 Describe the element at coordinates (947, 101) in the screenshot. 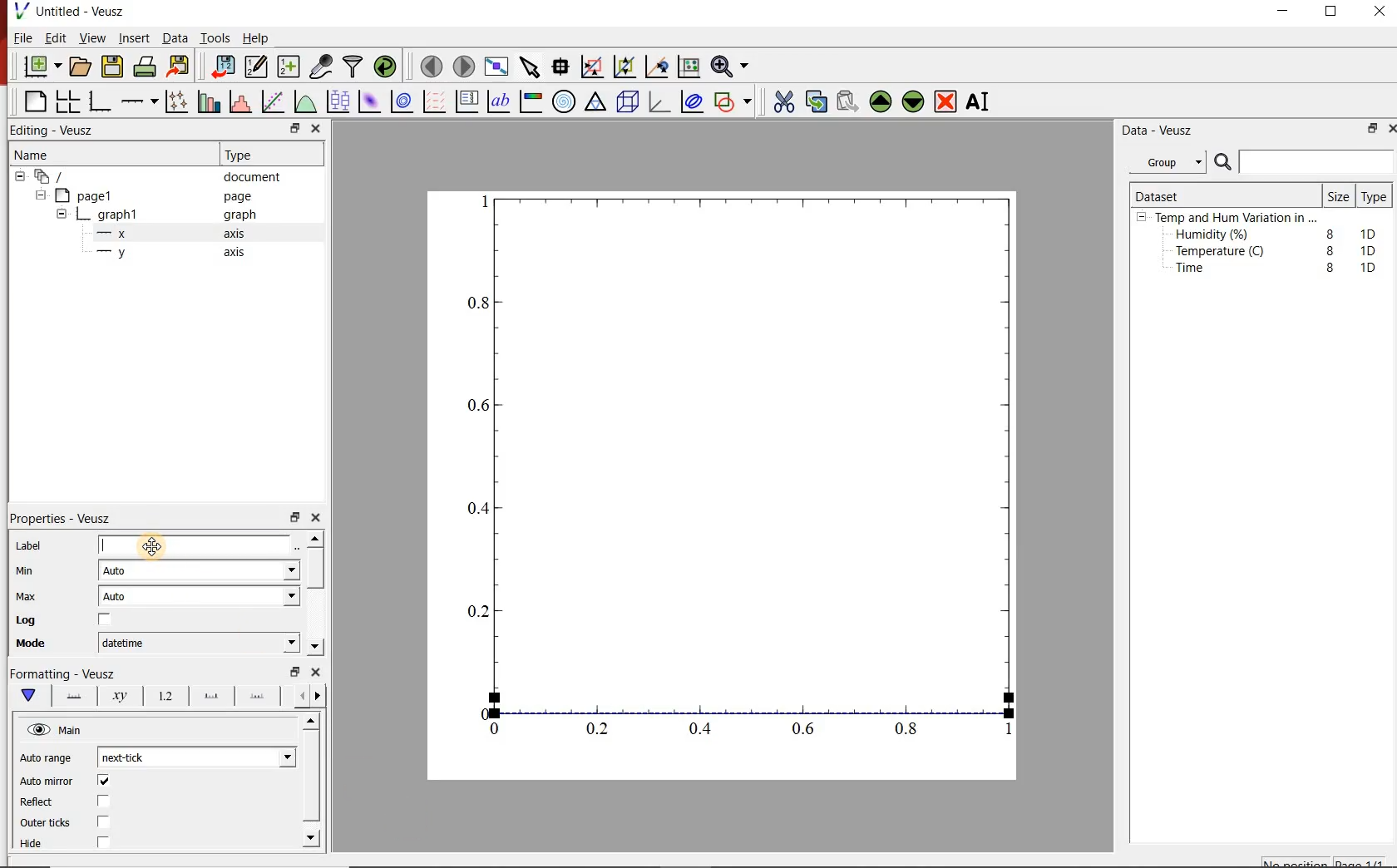

I see `Remove the selected widget` at that location.